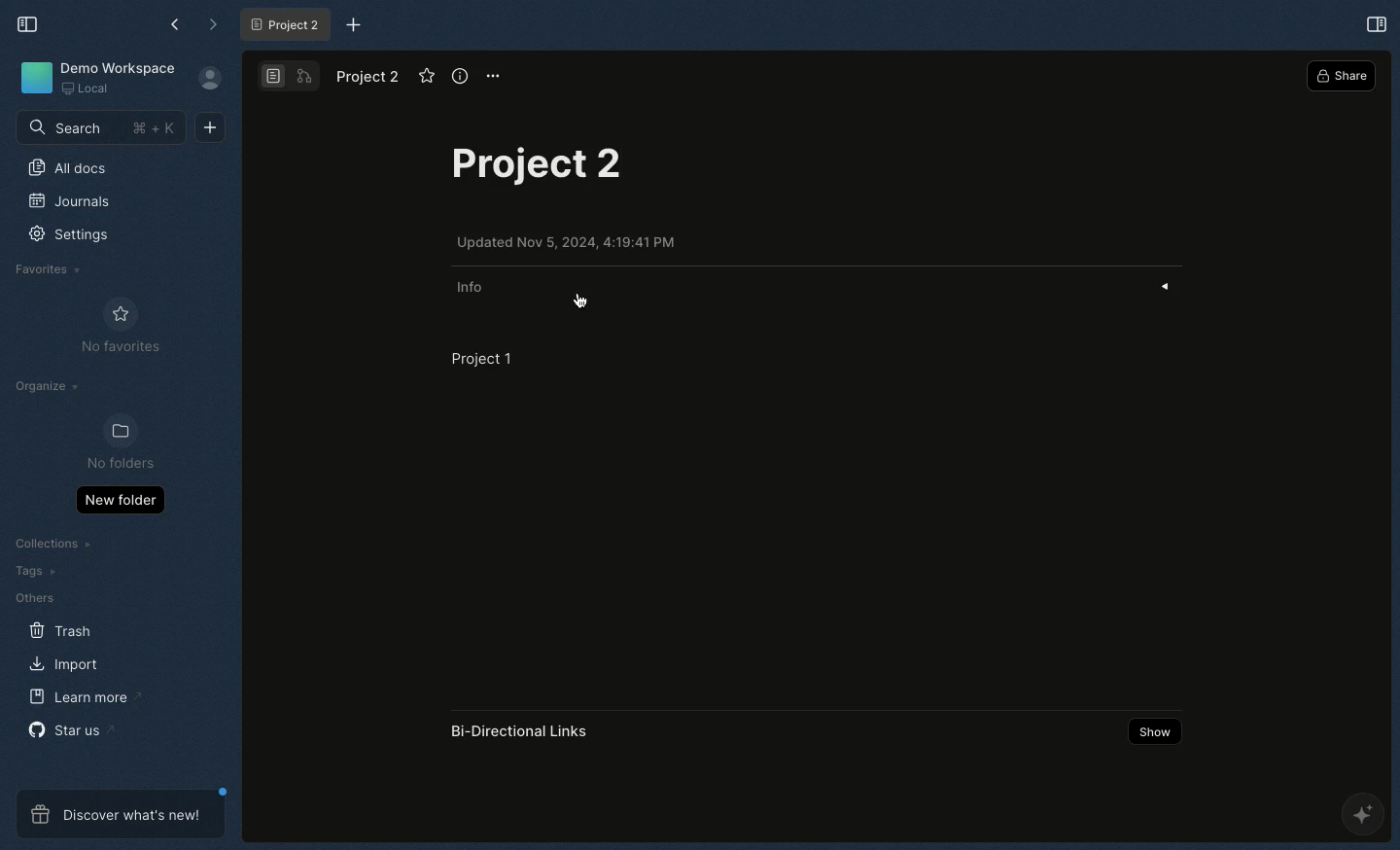 This screenshot has height=850, width=1400. Describe the element at coordinates (1152, 733) in the screenshot. I see `Show` at that location.